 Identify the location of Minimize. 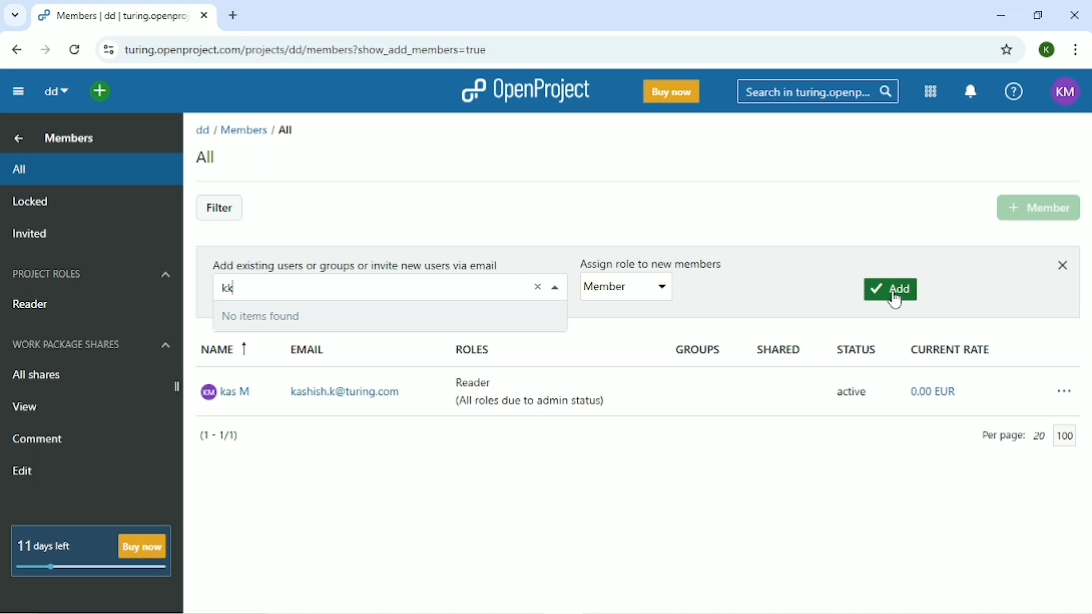
(1000, 15).